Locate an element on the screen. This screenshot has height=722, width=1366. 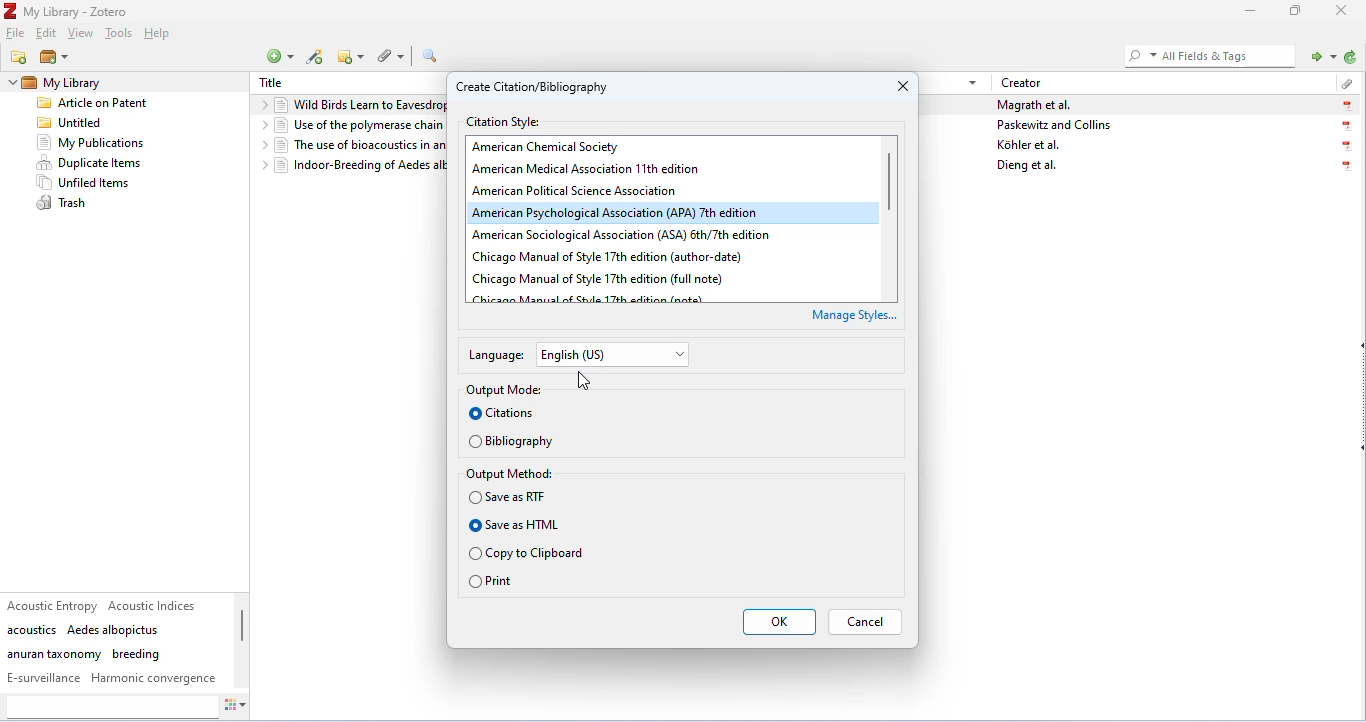
save as HTML is located at coordinates (516, 525).